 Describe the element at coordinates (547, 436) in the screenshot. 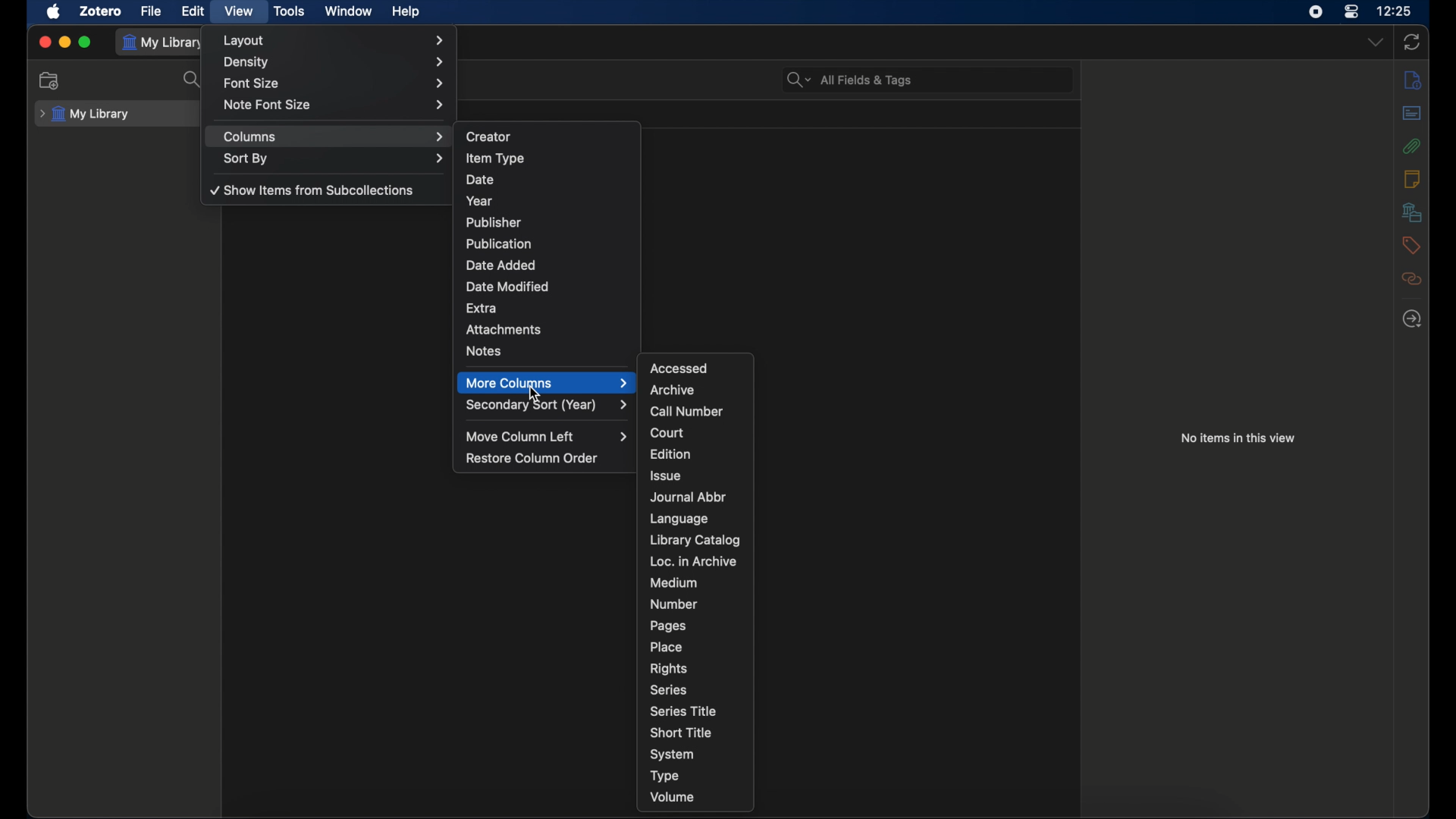

I see `move column left` at that location.